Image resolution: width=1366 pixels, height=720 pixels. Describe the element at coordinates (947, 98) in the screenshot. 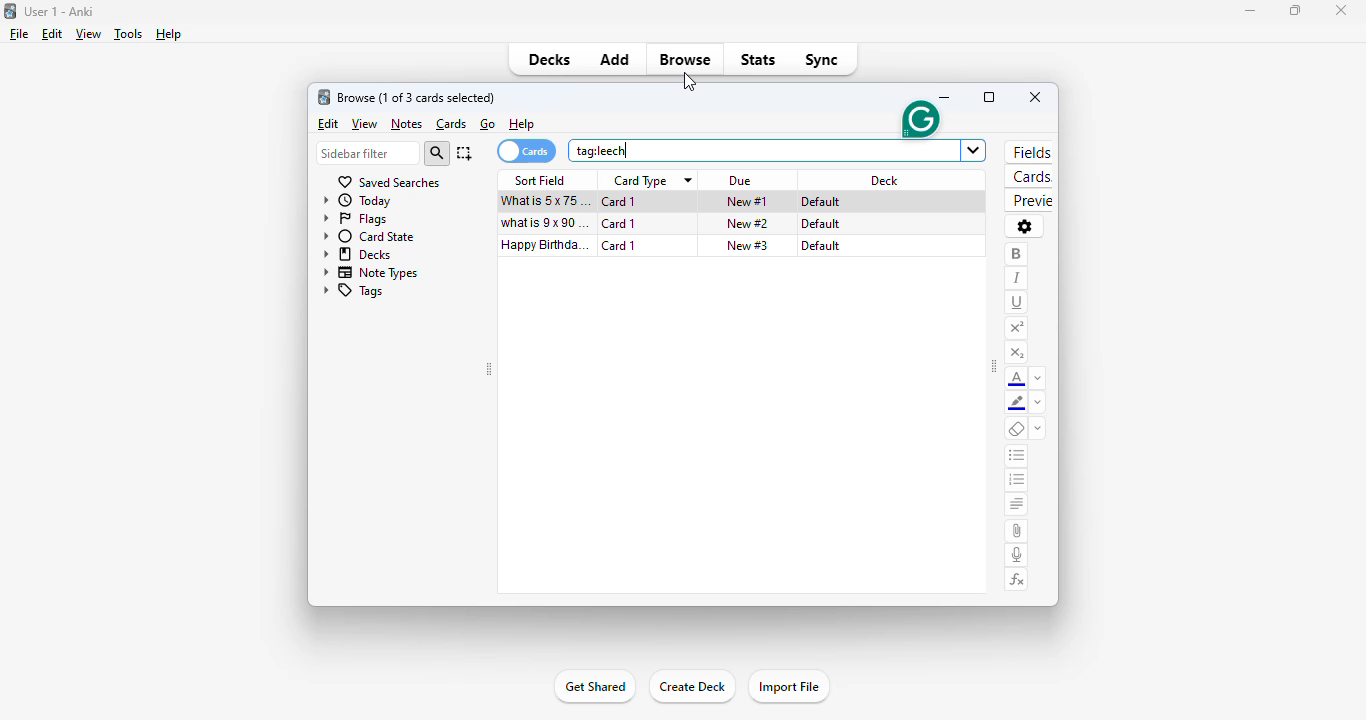

I see `minimize` at that location.